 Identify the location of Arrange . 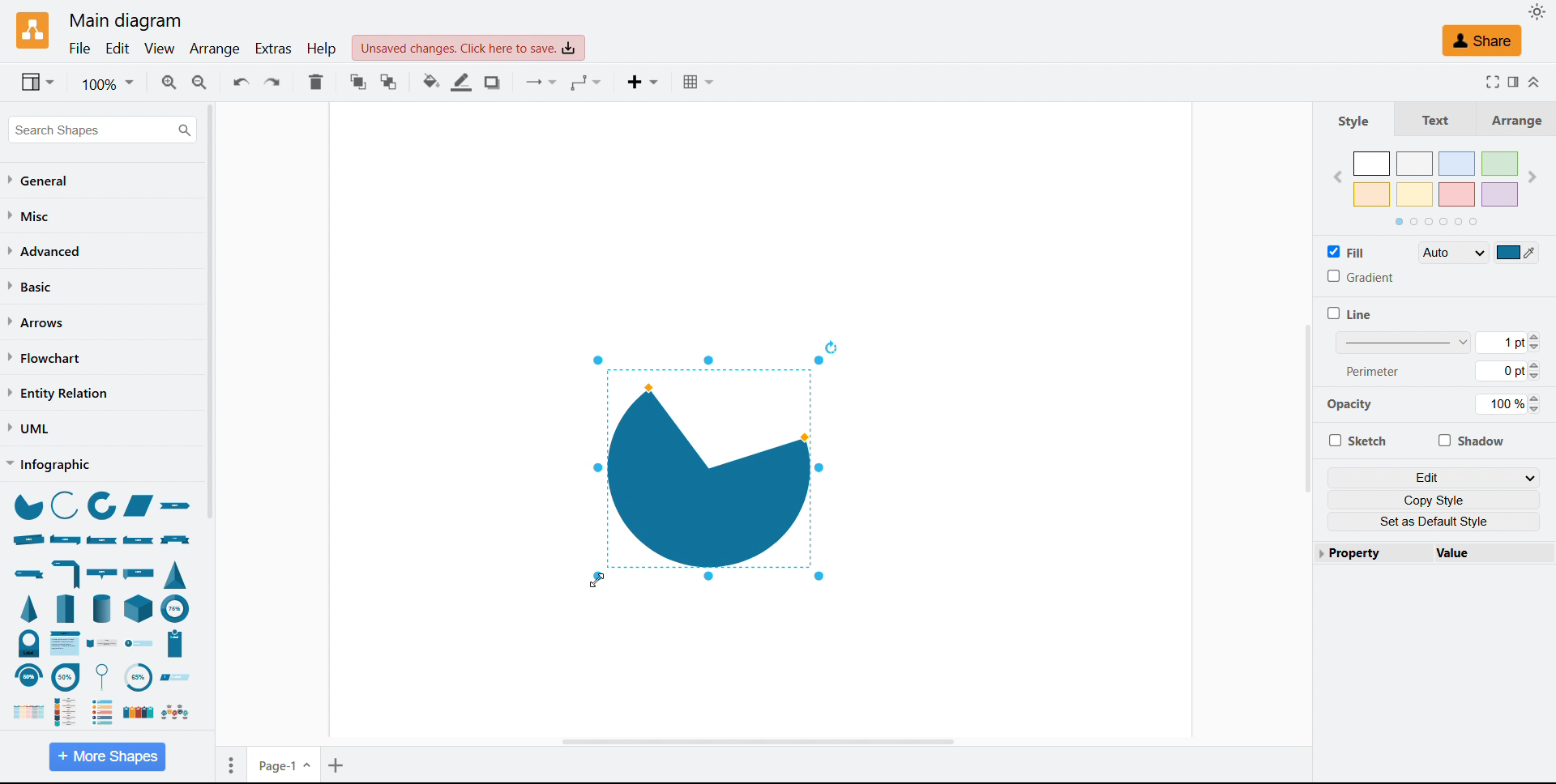
(1511, 119).